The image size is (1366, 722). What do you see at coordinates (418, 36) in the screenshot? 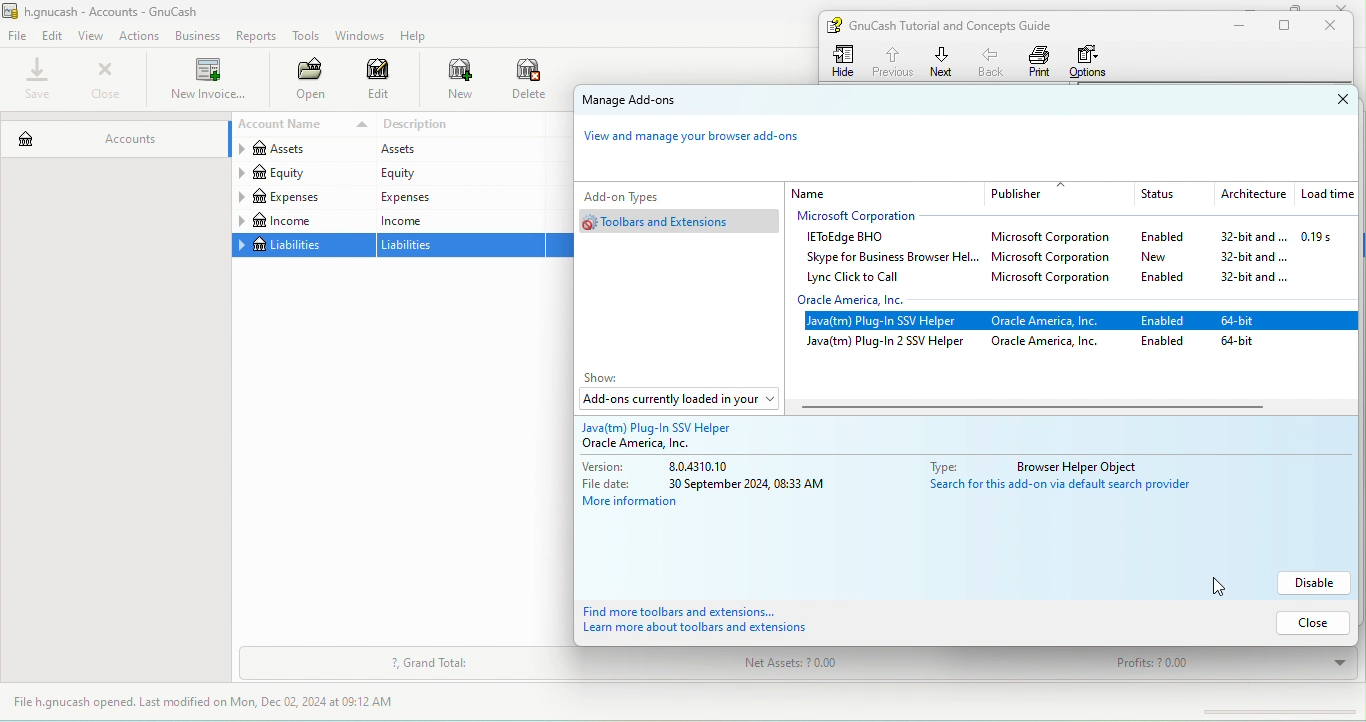
I see `help` at bounding box center [418, 36].